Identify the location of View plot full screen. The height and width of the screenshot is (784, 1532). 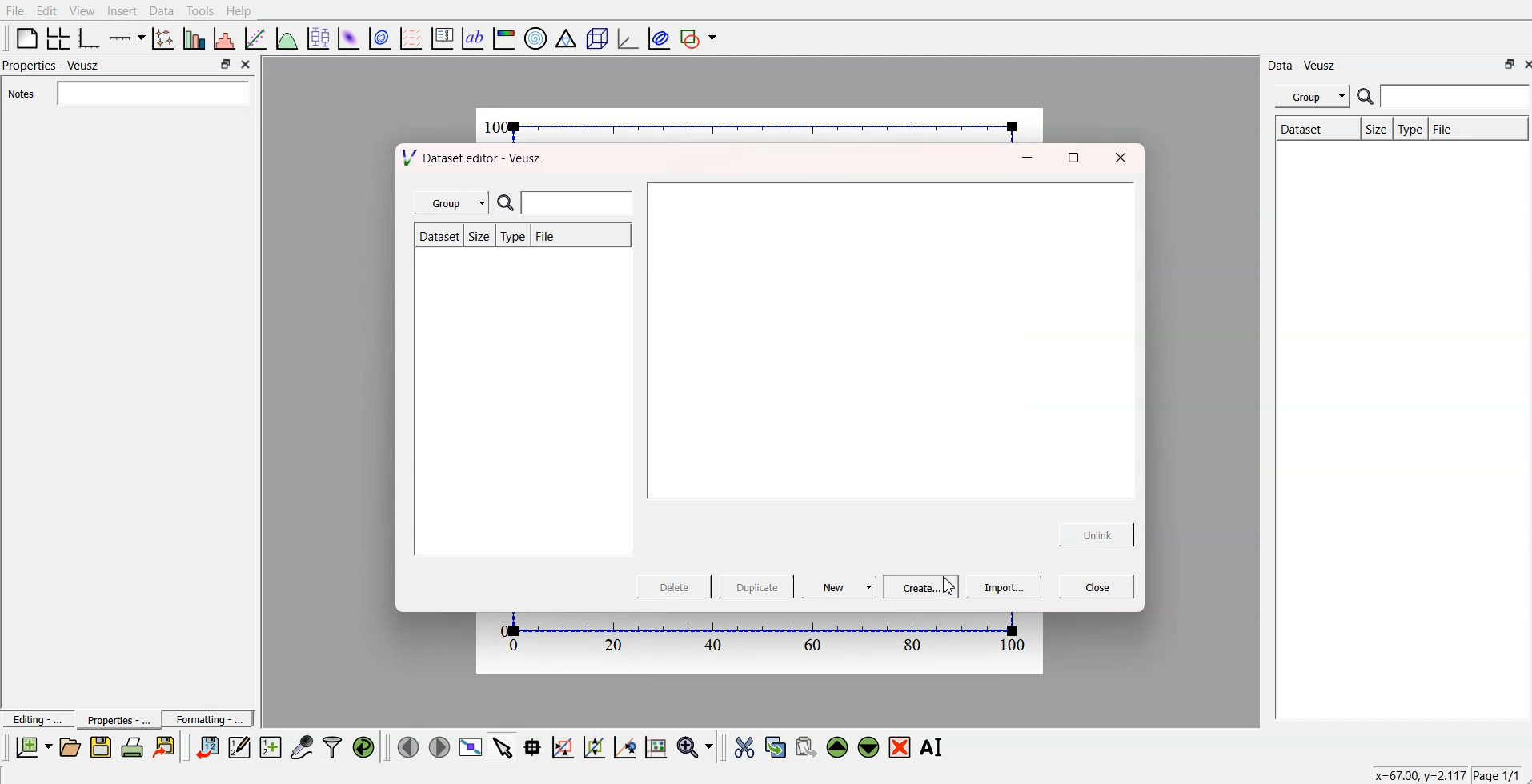
(471, 746).